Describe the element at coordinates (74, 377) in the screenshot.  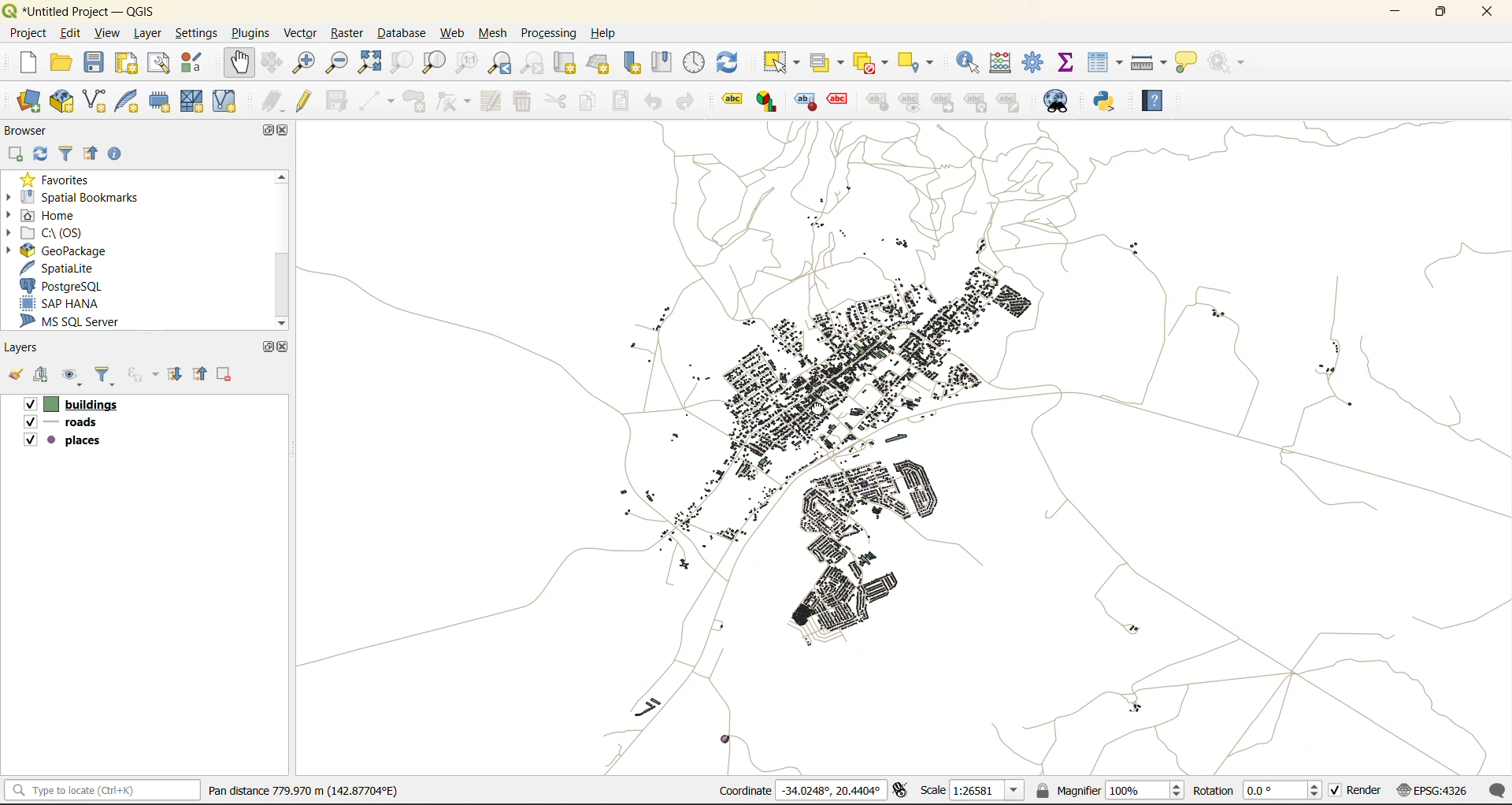
I see `manage map` at that location.